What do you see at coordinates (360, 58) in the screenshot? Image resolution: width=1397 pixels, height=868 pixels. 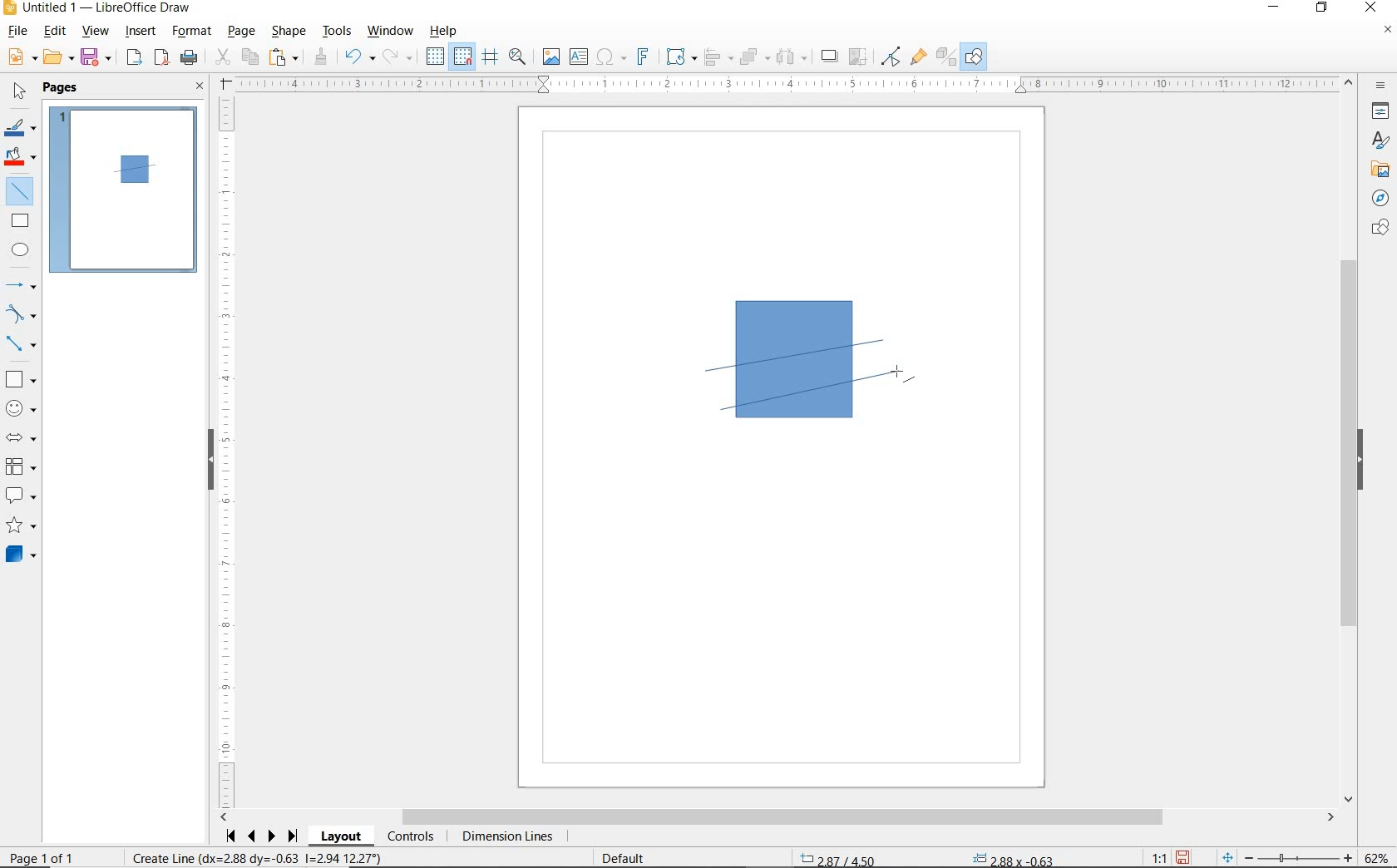 I see `UNDO` at bounding box center [360, 58].